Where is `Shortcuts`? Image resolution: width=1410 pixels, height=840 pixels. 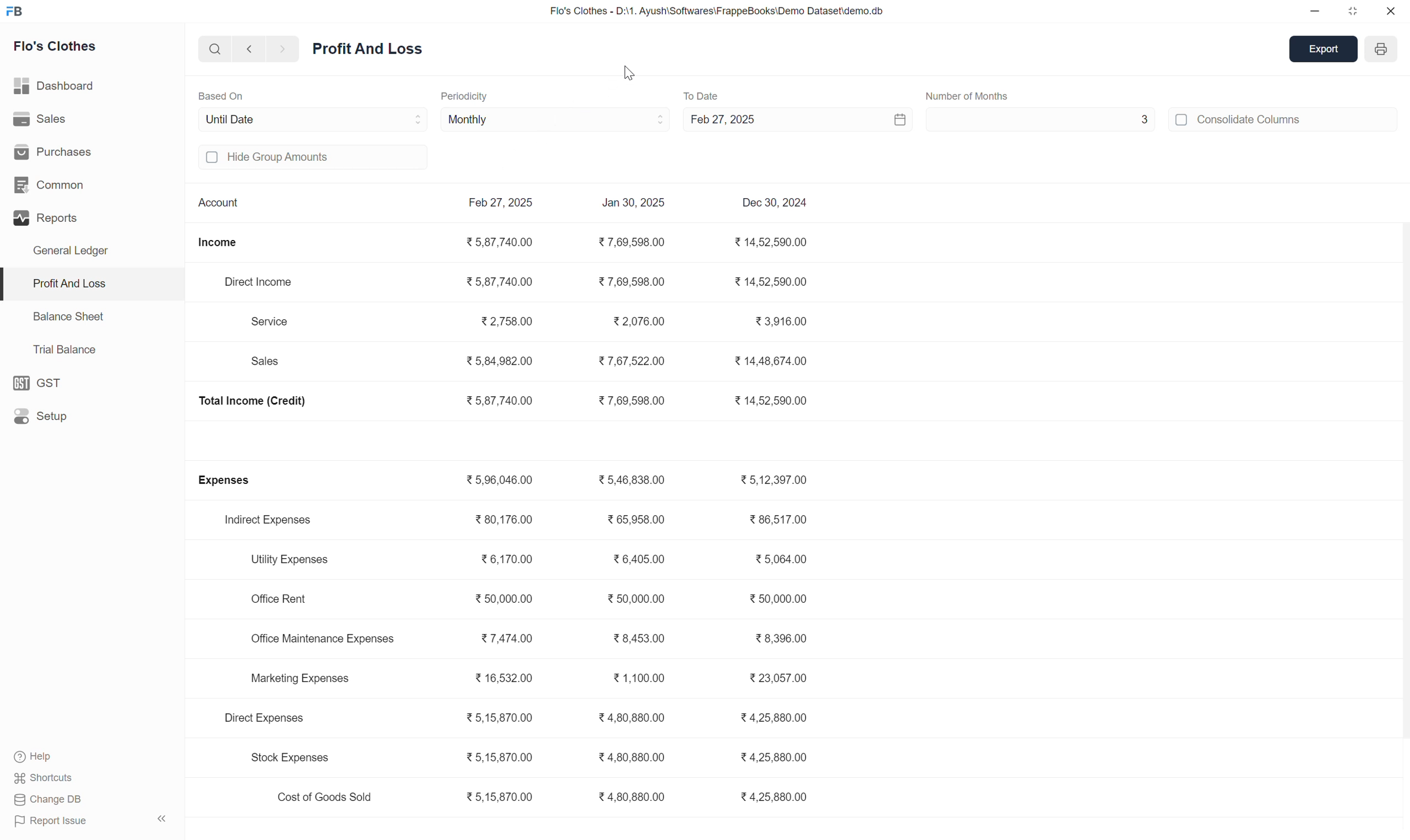 Shortcuts is located at coordinates (49, 777).